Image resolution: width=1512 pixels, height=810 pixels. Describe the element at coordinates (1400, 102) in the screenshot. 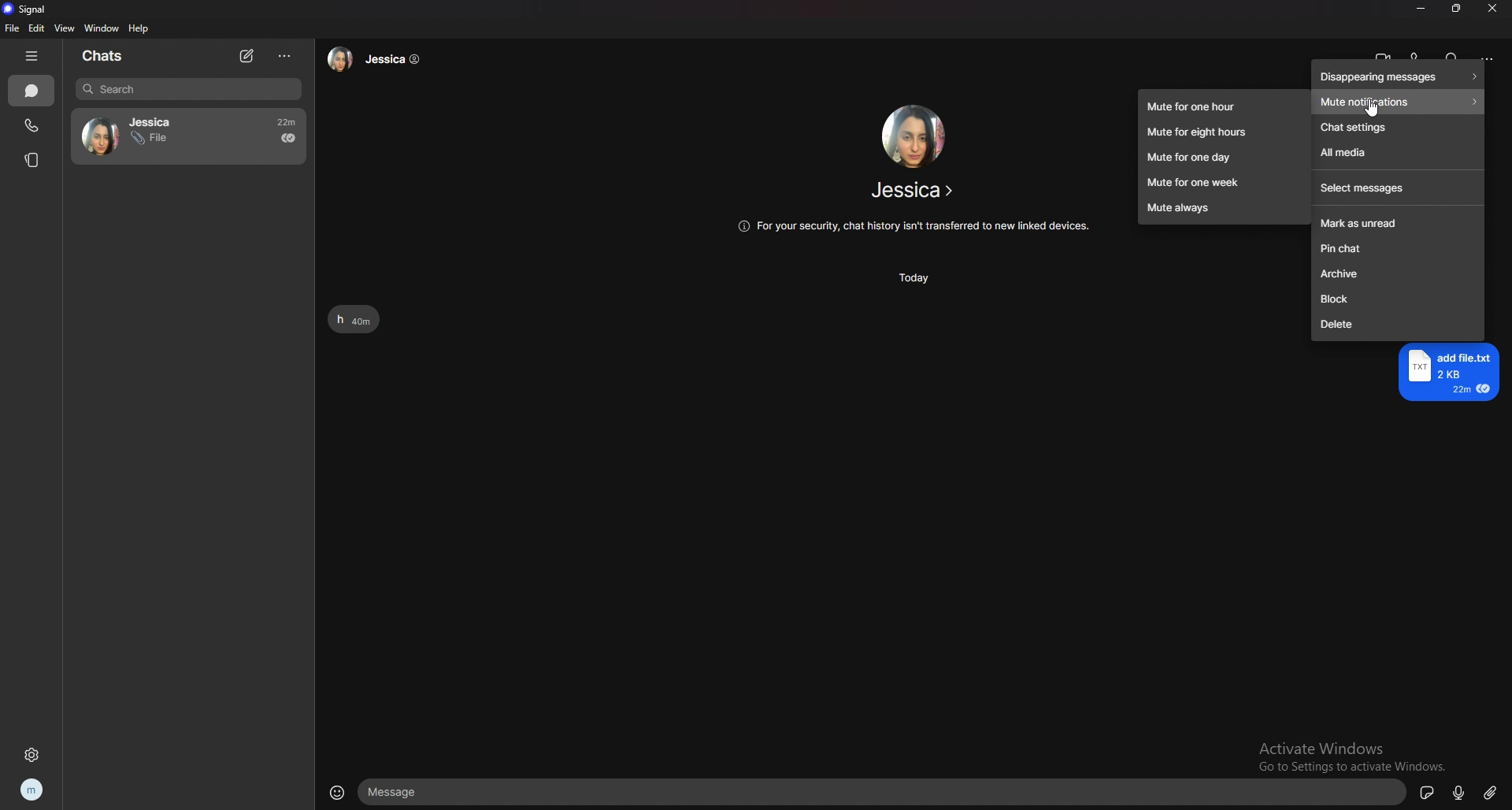

I see `mute notifications` at that location.